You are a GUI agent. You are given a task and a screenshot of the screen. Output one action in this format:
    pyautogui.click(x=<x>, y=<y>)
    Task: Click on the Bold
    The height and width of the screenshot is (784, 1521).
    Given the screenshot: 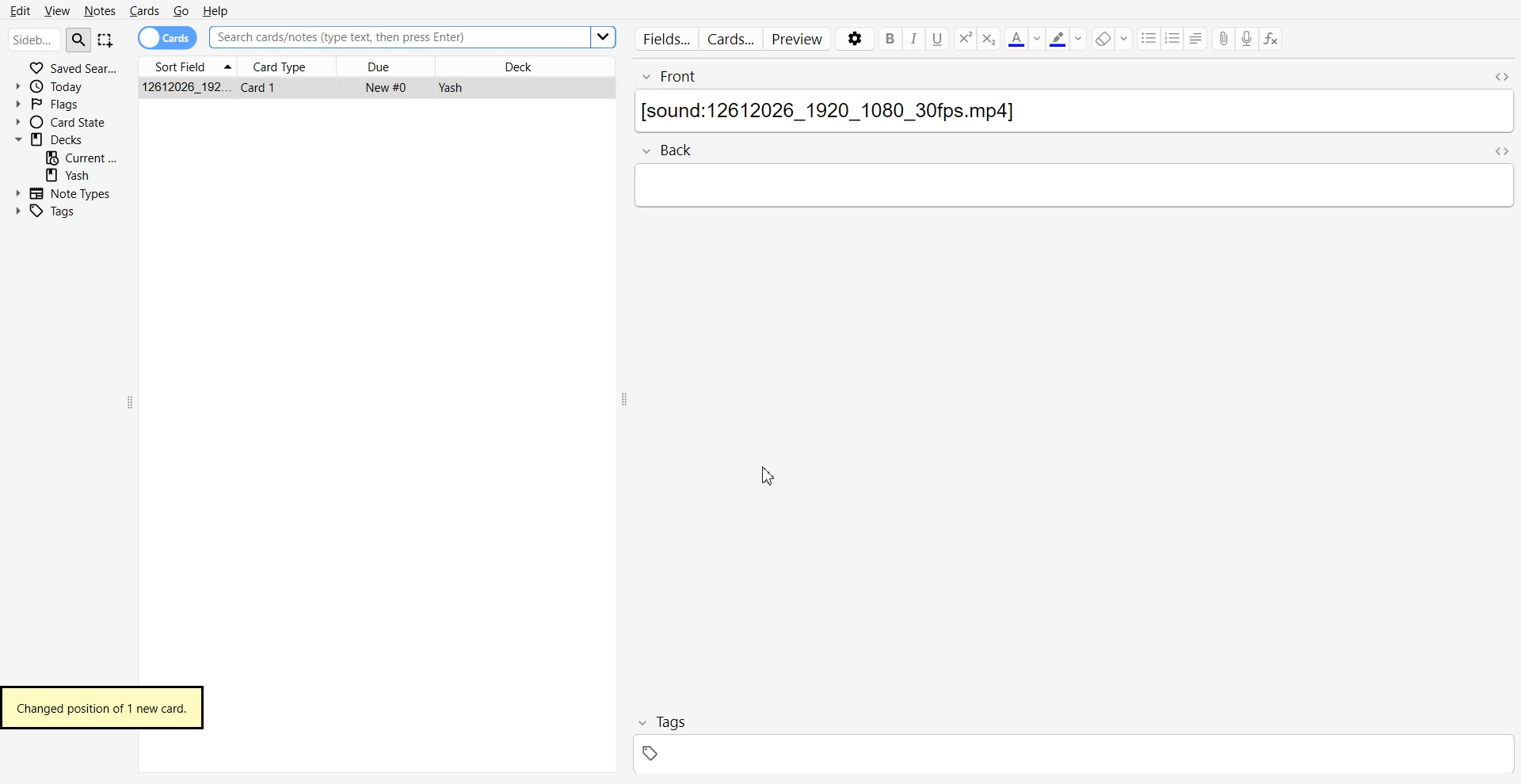 What is the action you would take?
    pyautogui.click(x=889, y=39)
    